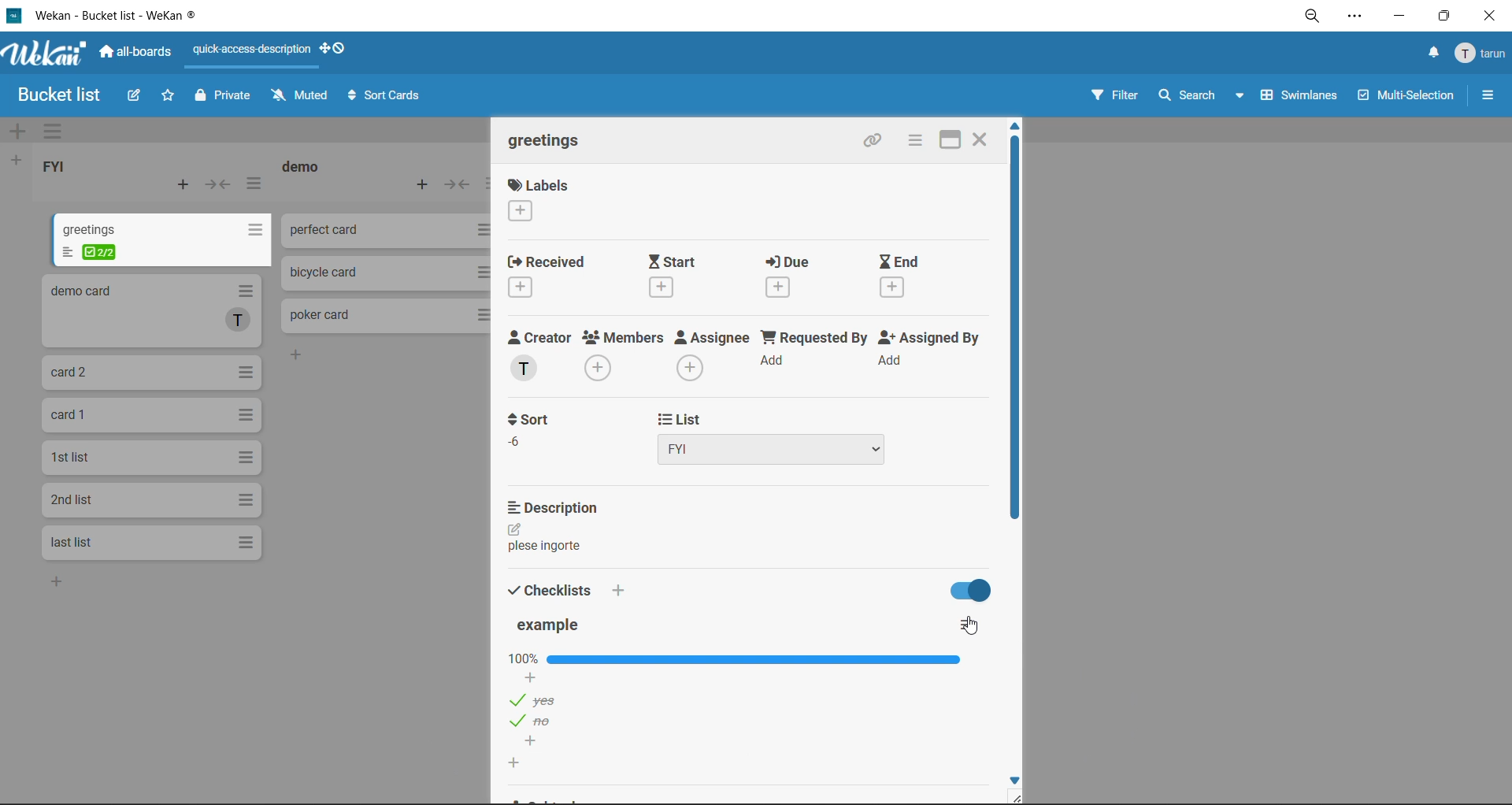  I want to click on swimlane title, so click(756, 131).